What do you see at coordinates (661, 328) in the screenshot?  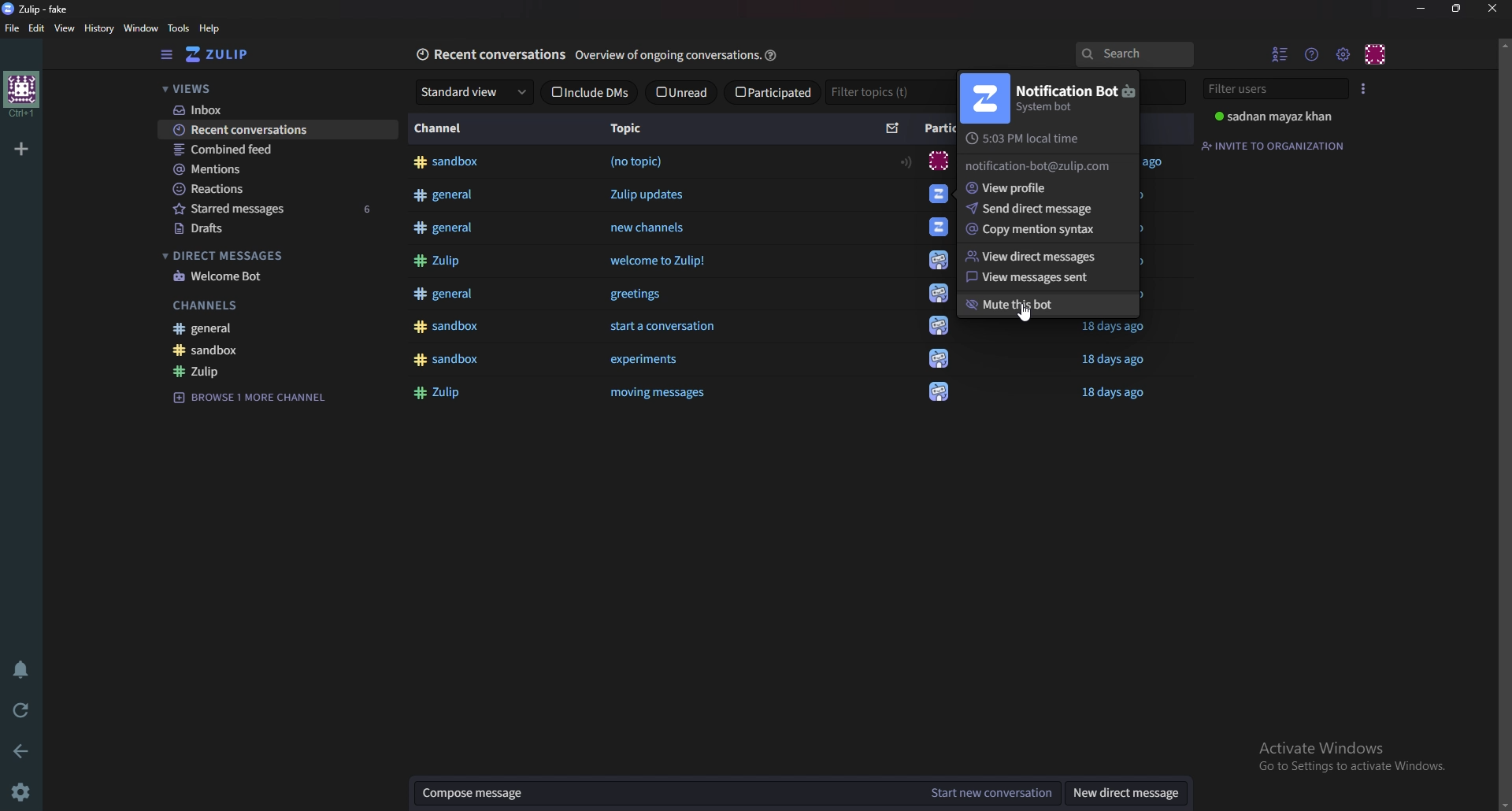 I see `start a conversation` at bounding box center [661, 328].